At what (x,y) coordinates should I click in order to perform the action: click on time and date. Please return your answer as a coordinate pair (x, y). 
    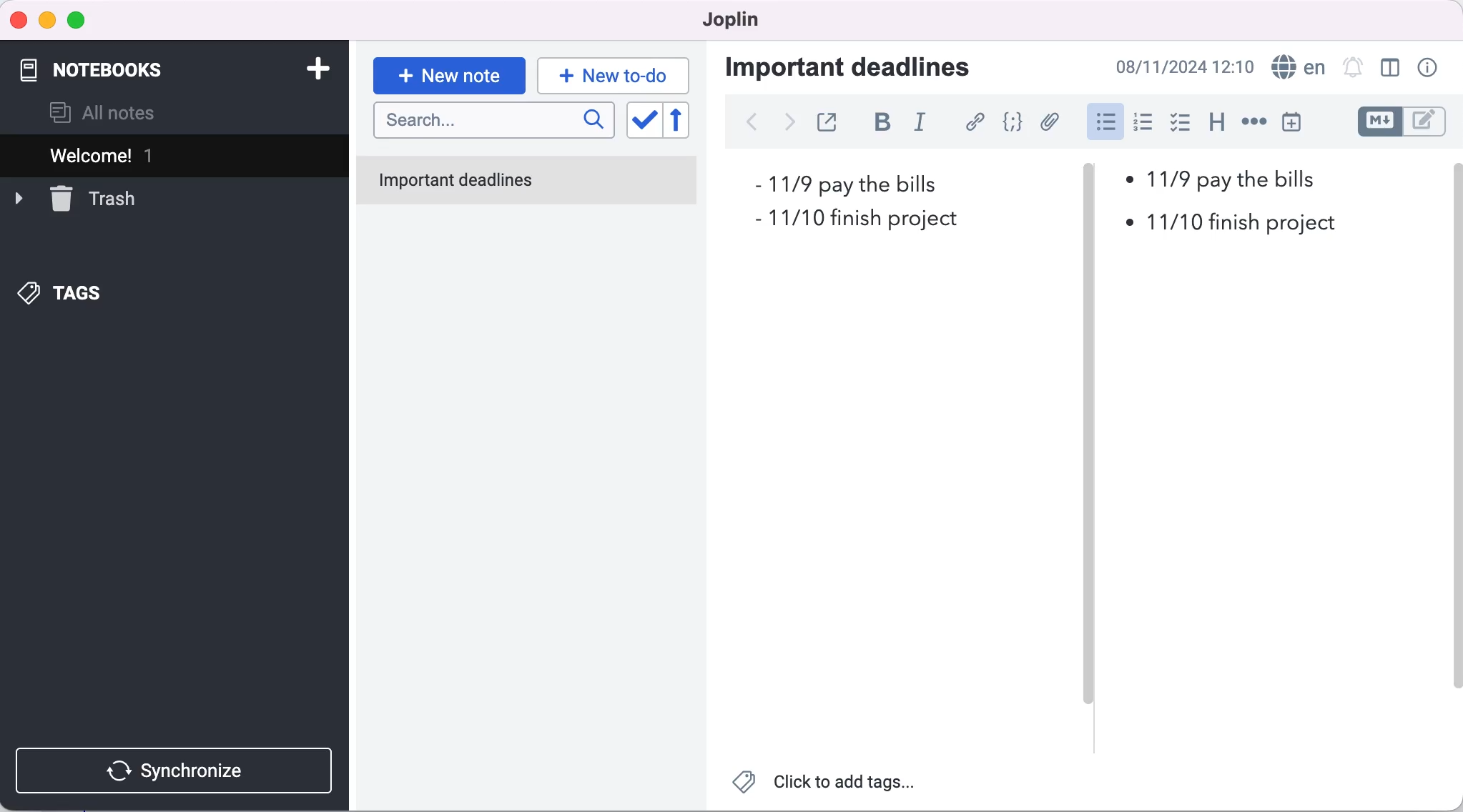
    Looking at the image, I should click on (1187, 66).